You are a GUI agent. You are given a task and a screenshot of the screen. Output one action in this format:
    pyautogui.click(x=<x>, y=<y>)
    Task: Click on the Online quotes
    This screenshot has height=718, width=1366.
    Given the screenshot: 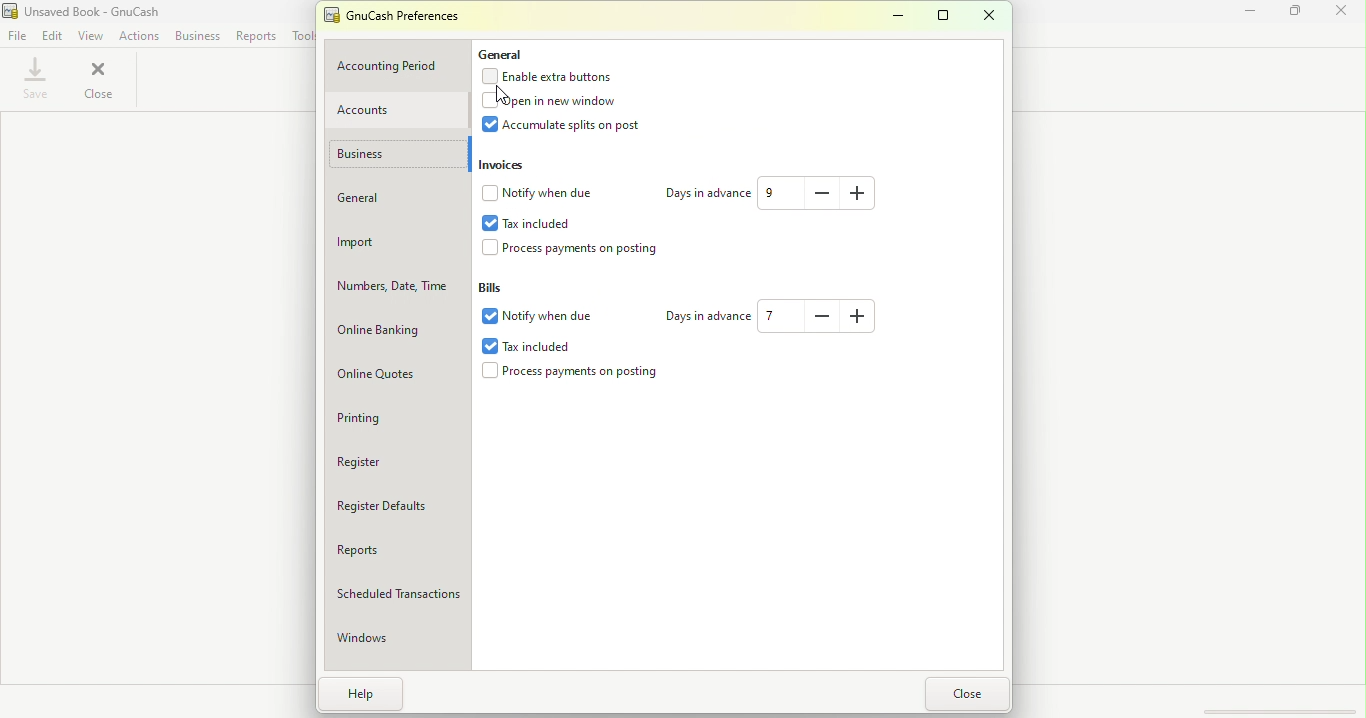 What is the action you would take?
    pyautogui.click(x=397, y=373)
    